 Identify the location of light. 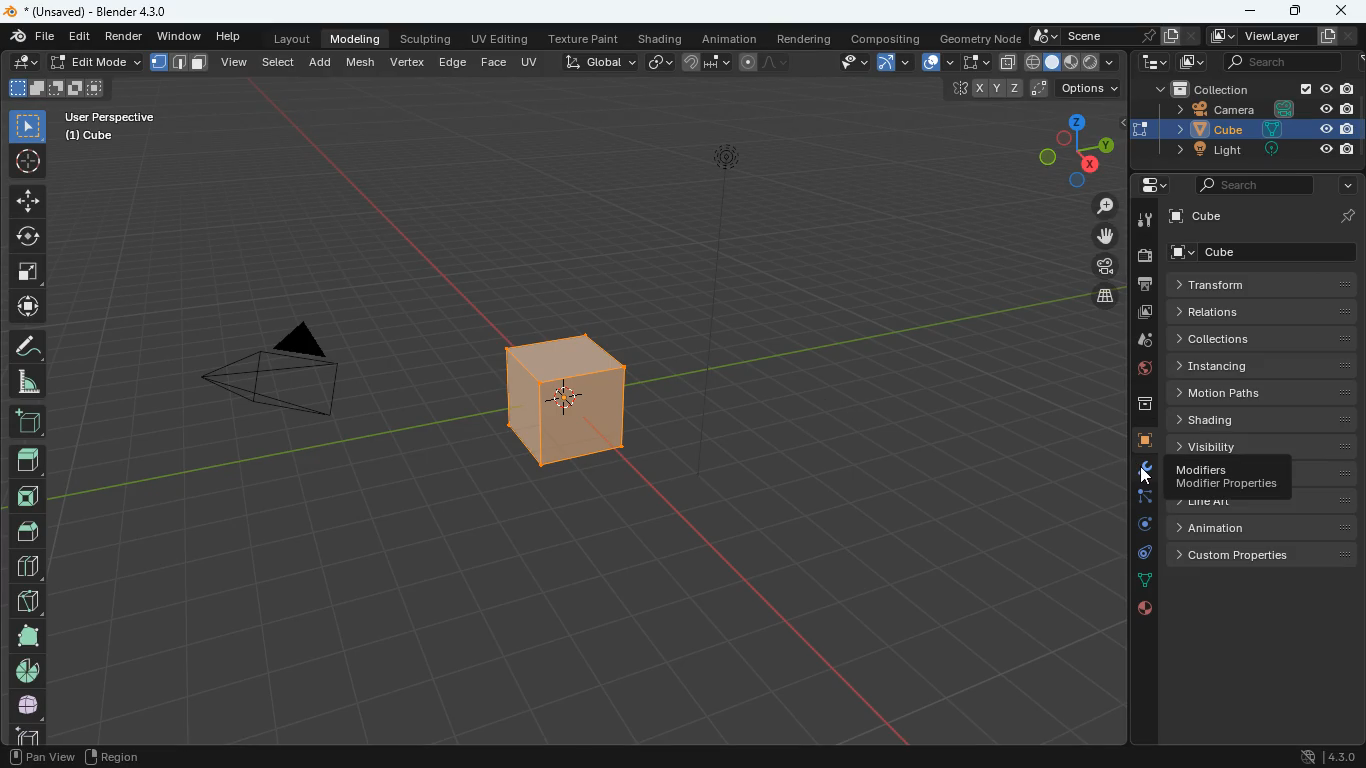
(727, 216).